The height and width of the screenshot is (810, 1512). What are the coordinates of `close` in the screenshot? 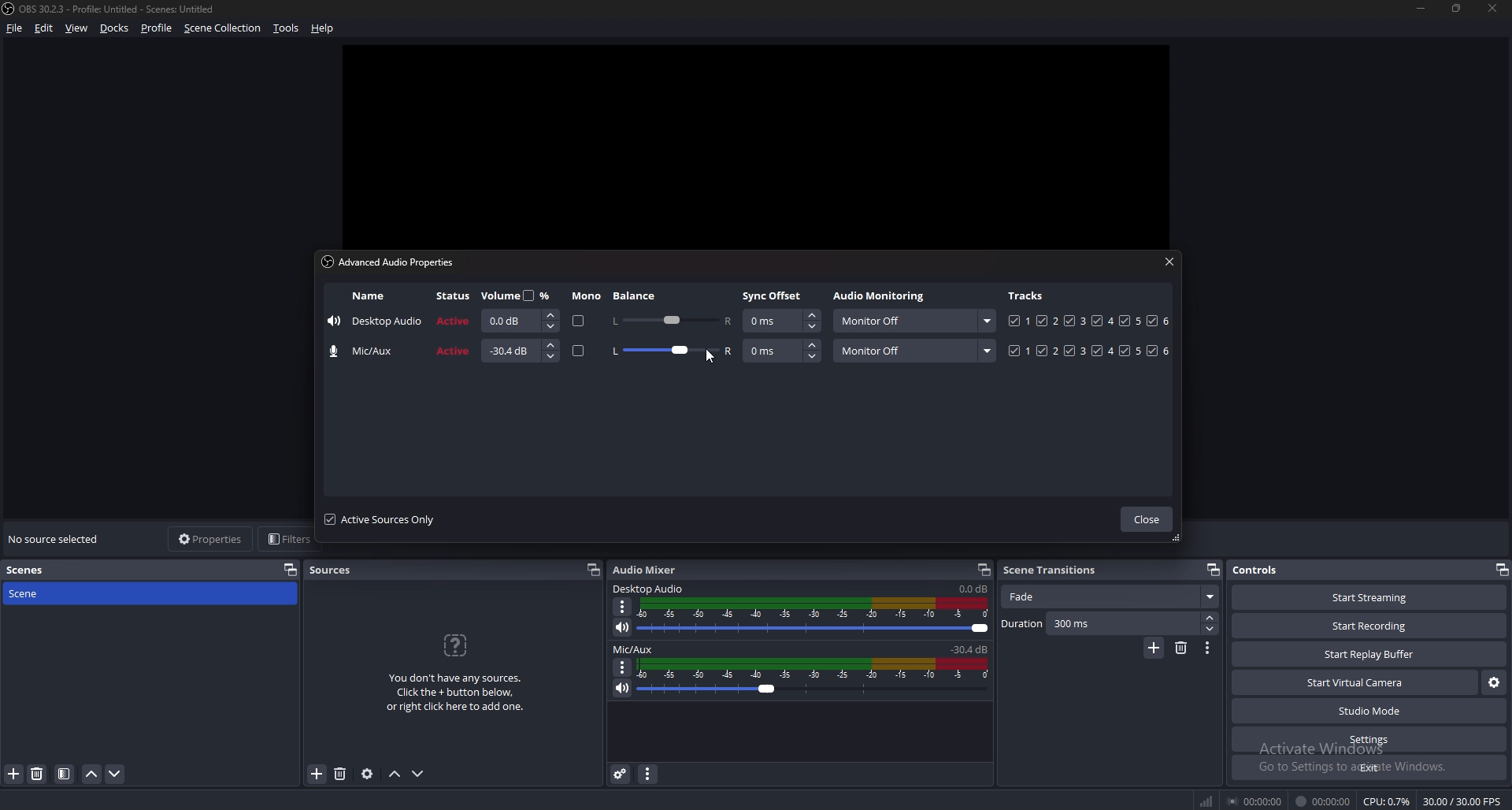 It's located at (1166, 262).